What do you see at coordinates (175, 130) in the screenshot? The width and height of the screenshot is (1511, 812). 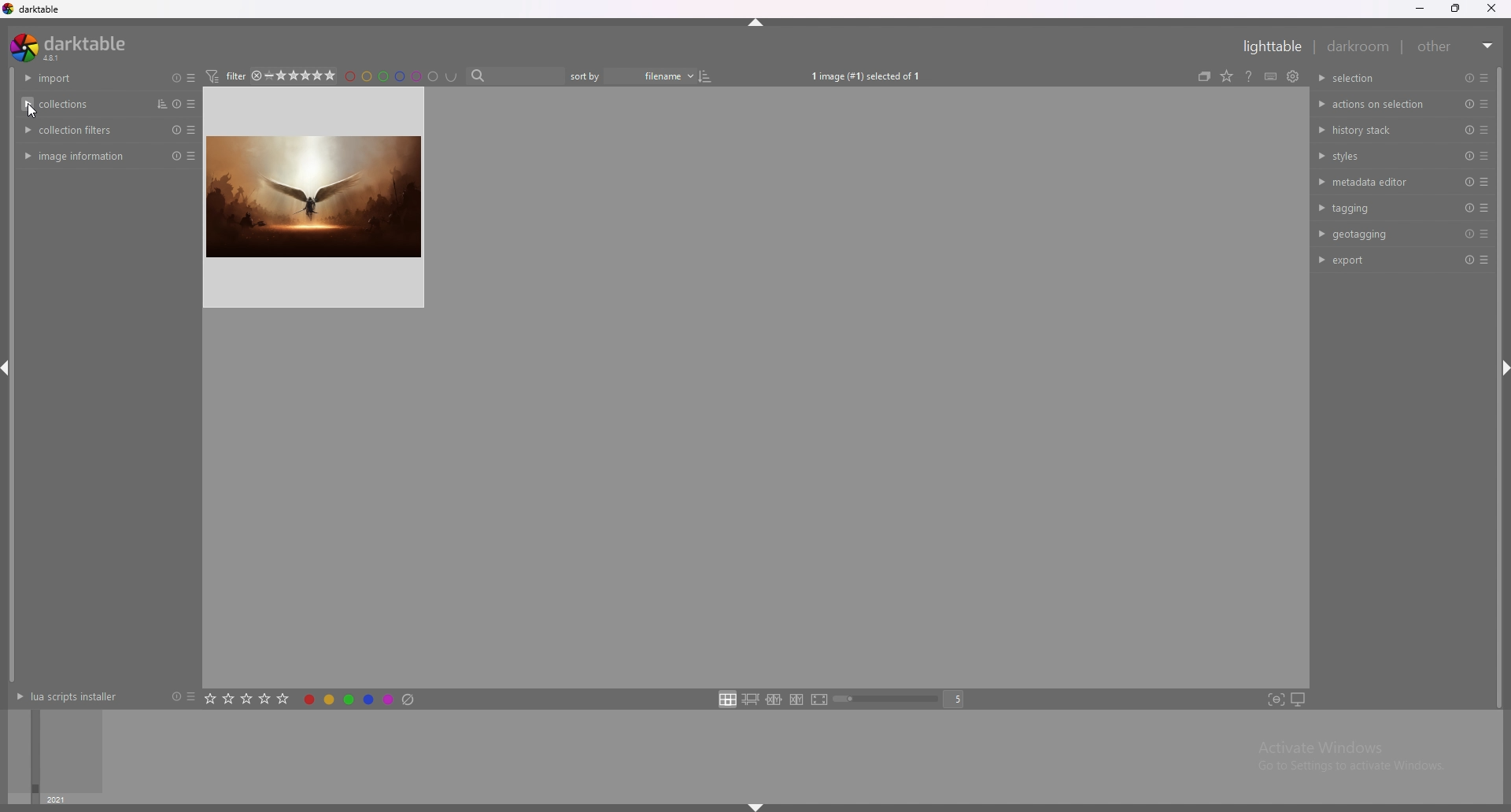 I see `resets` at bounding box center [175, 130].